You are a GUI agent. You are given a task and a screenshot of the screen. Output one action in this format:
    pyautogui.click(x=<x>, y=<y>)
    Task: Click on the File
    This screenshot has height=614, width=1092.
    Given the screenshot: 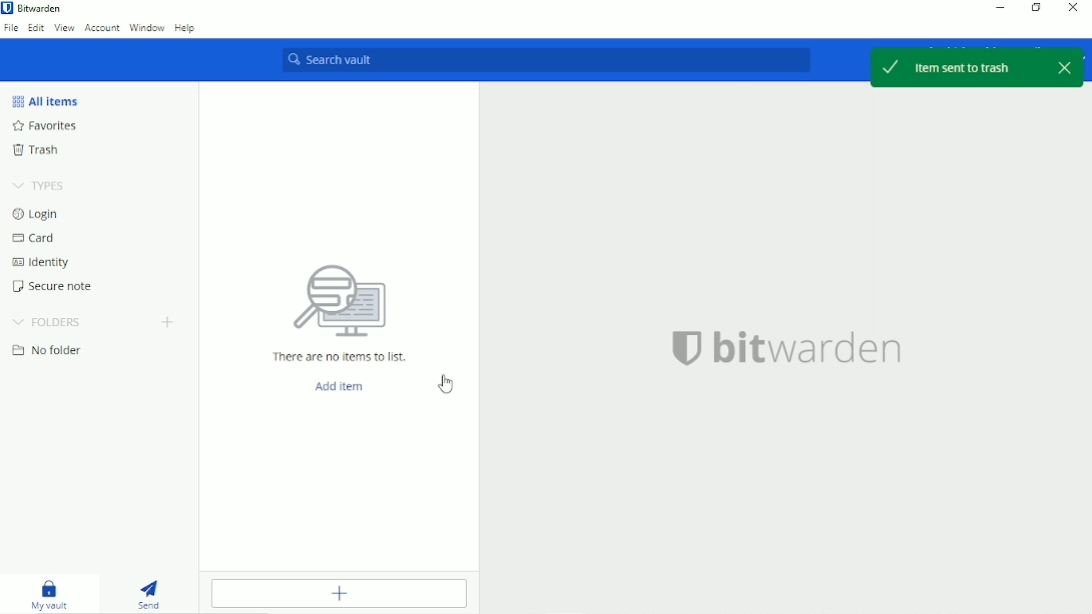 What is the action you would take?
    pyautogui.click(x=11, y=28)
    